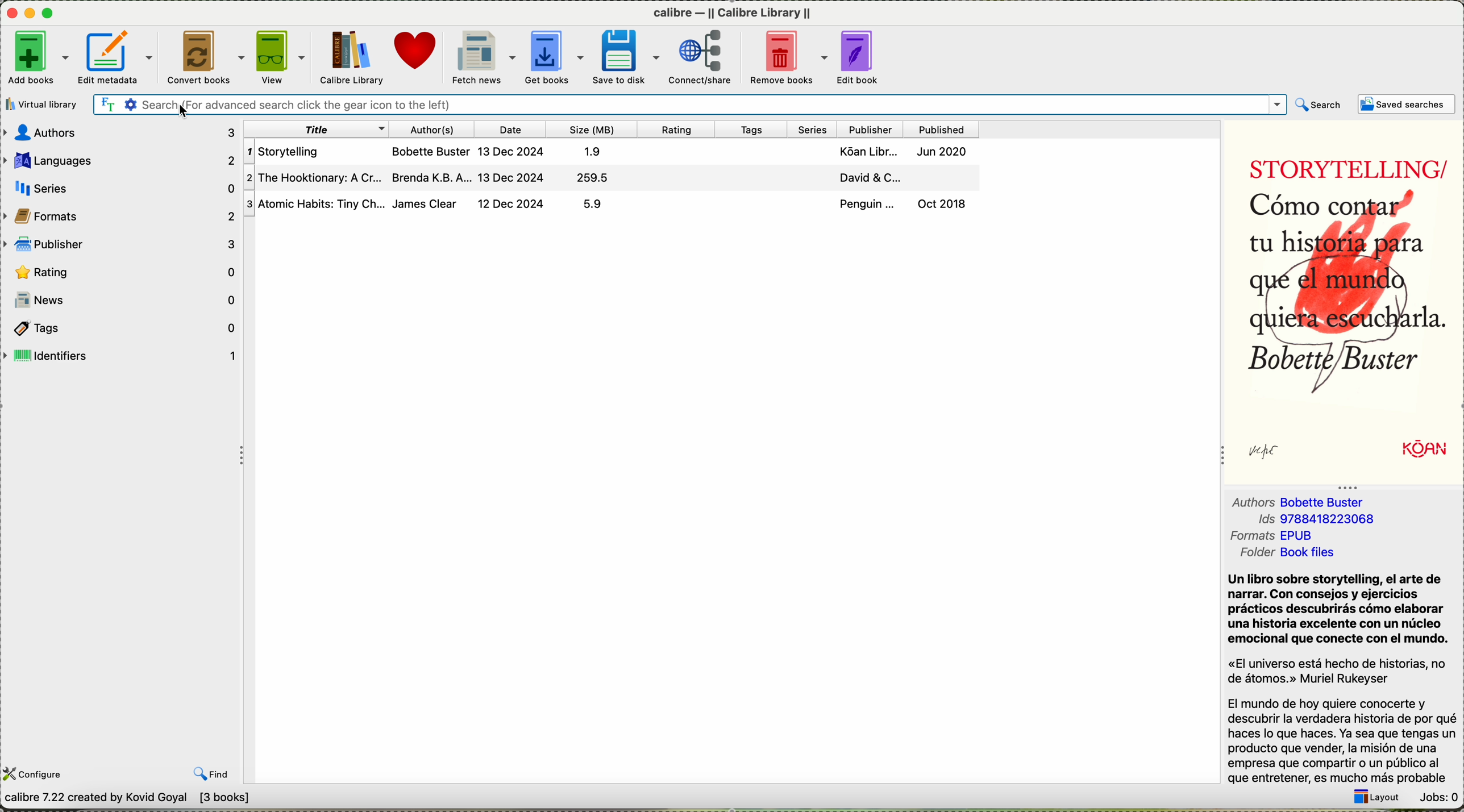 Image resolution: width=1464 pixels, height=812 pixels. What do you see at coordinates (1341, 292) in the screenshot?
I see `Como contar tu historia para que el mundo quiera escucharla Bobette buster` at bounding box center [1341, 292].